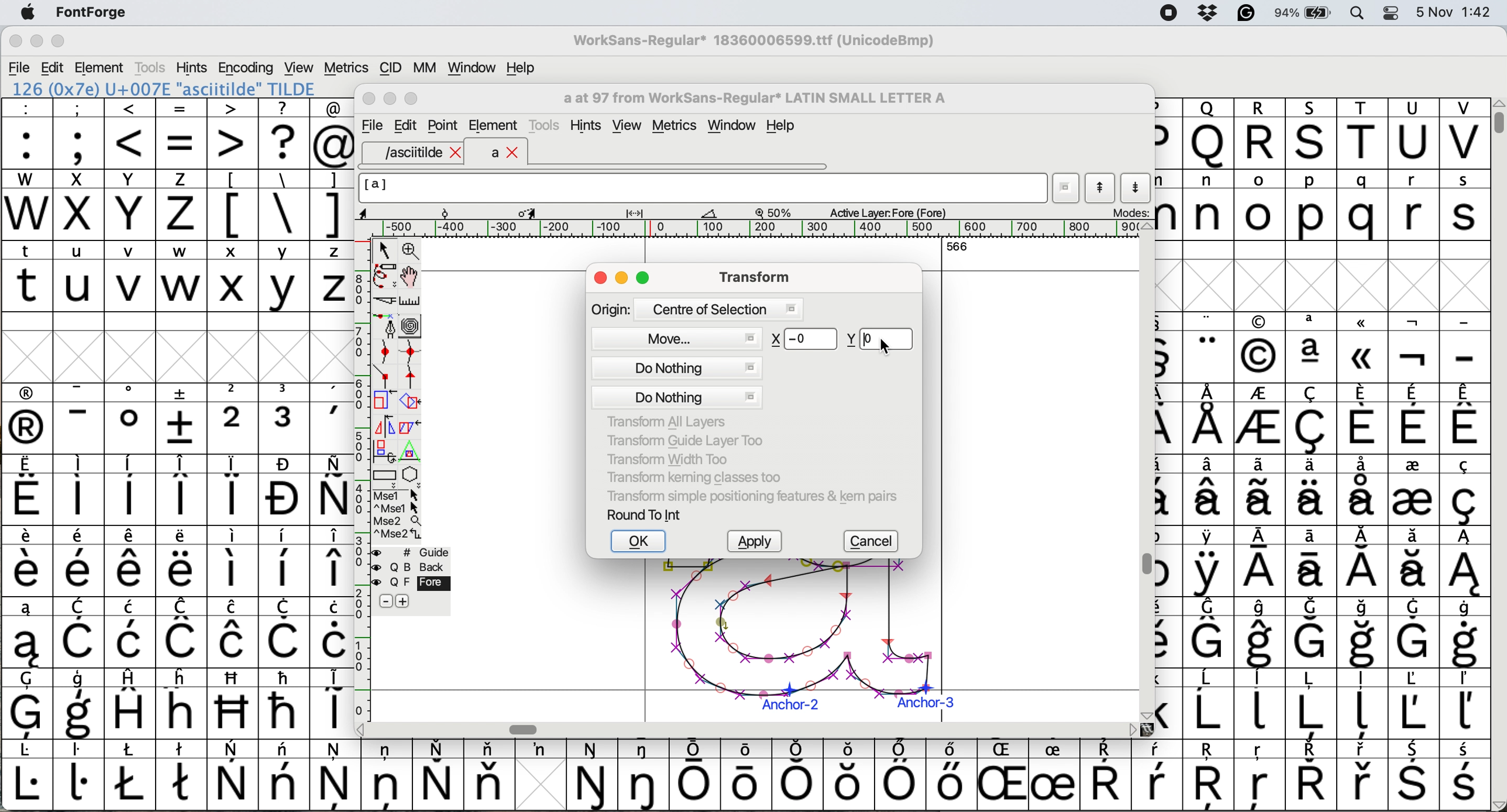  What do you see at coordinates (234, 703) in the screenshot?
I see `` at bounding box center [234, 703].